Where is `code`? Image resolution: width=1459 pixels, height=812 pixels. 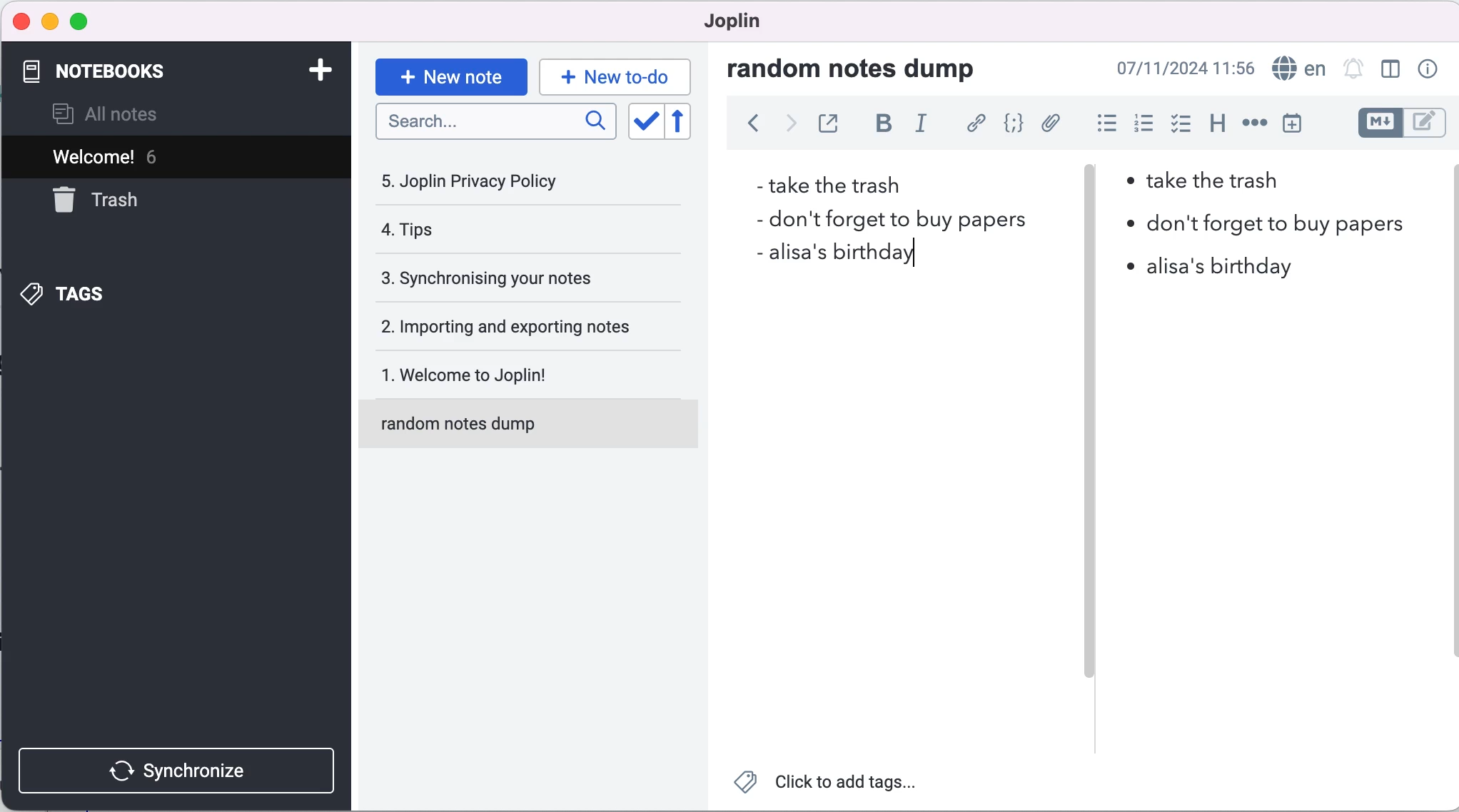 code is located at coordinates (1010, 125).